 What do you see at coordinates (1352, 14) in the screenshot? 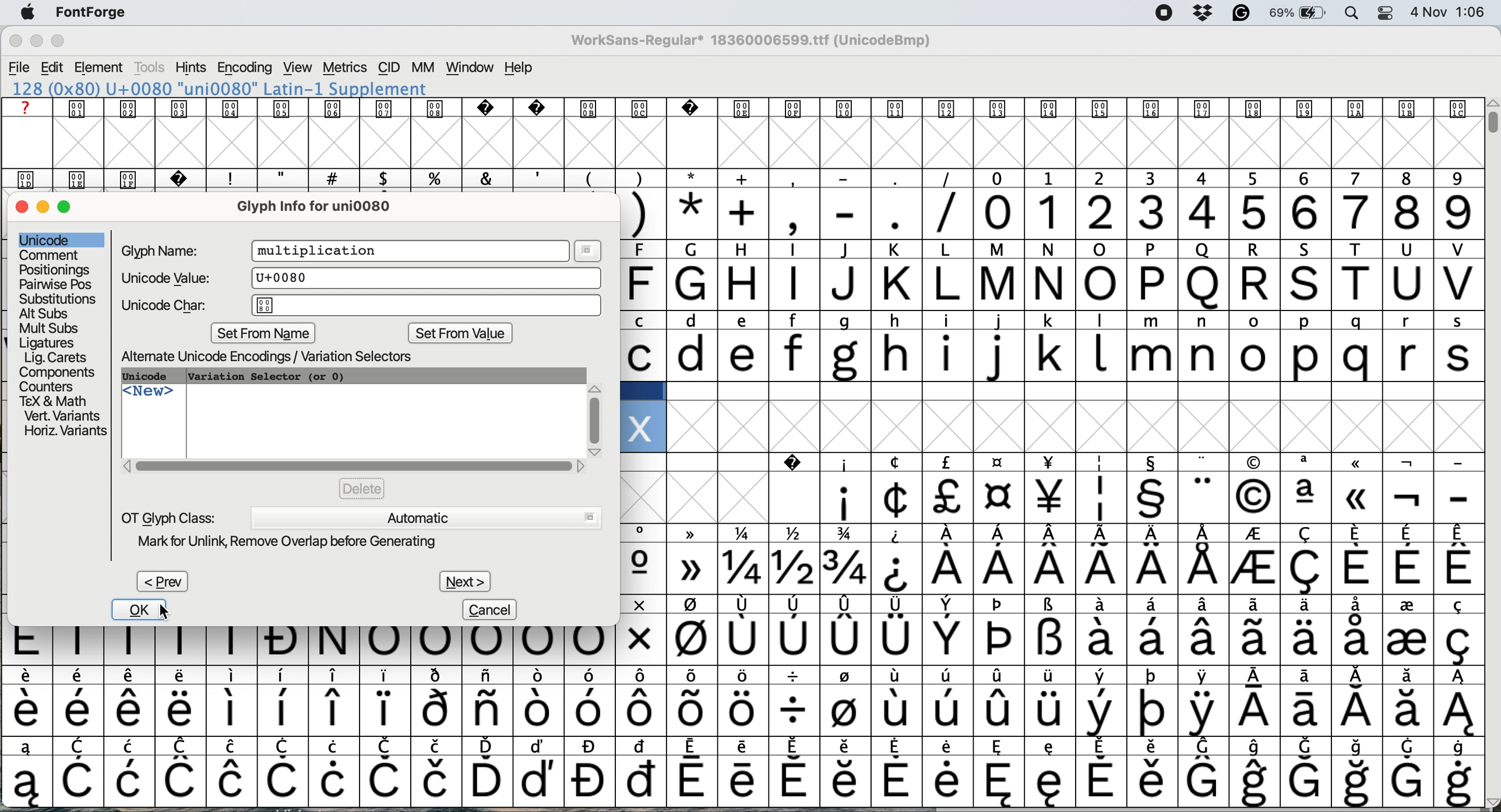
I see `spotlight search` at bounding box center [1352, 14].